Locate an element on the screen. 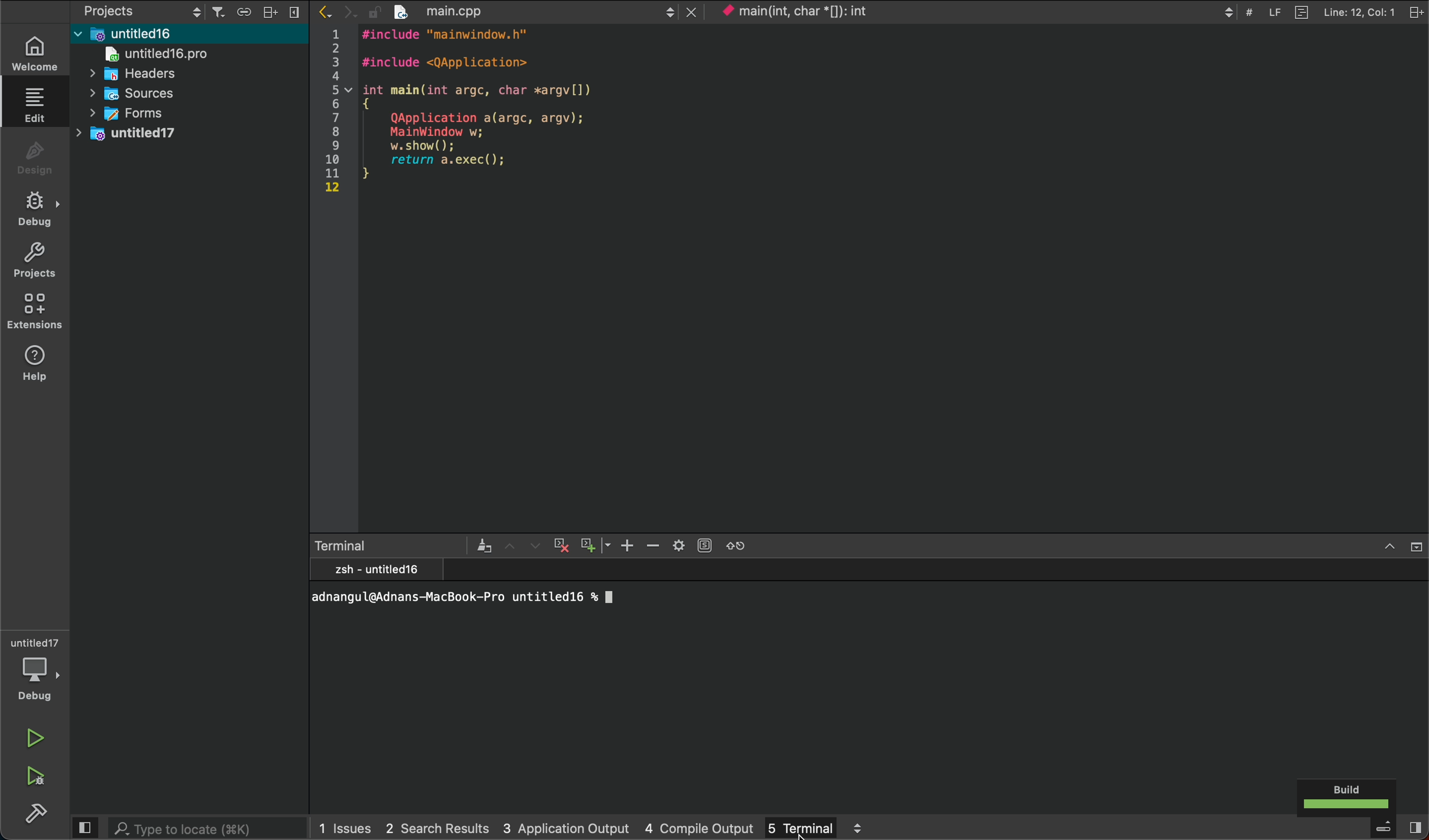  build success is located at coordinates (1348, 798).